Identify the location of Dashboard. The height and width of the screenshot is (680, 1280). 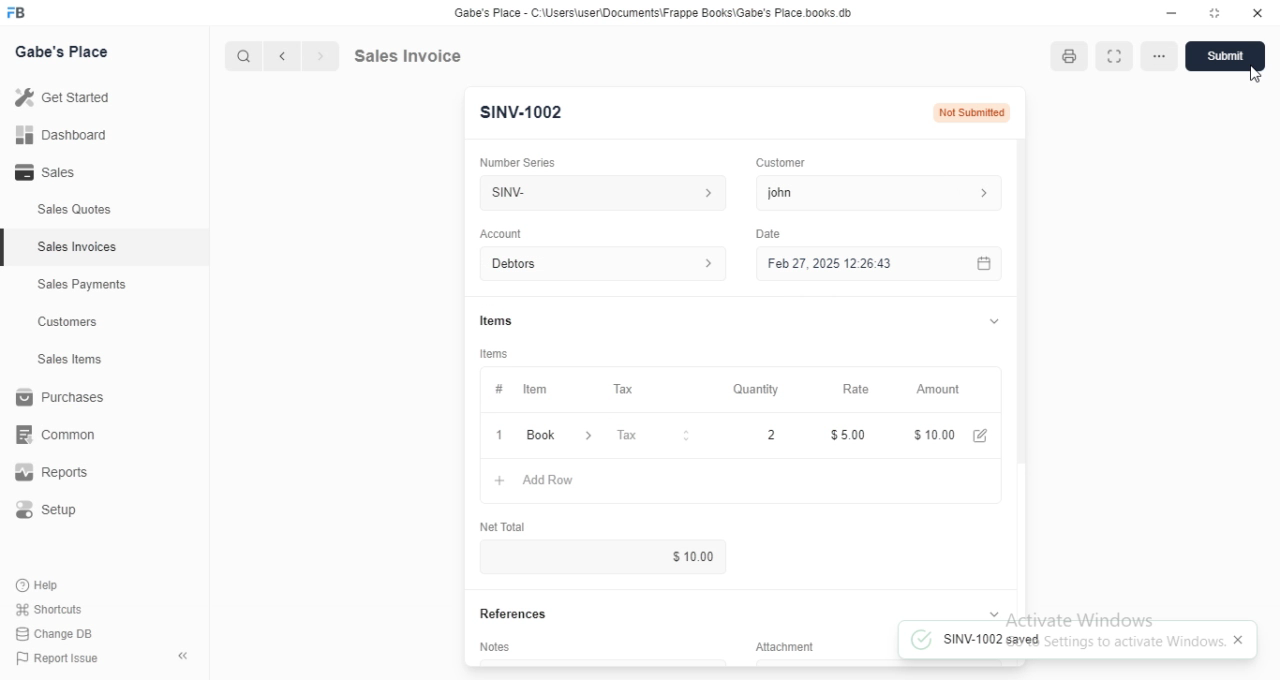
(61, 135).